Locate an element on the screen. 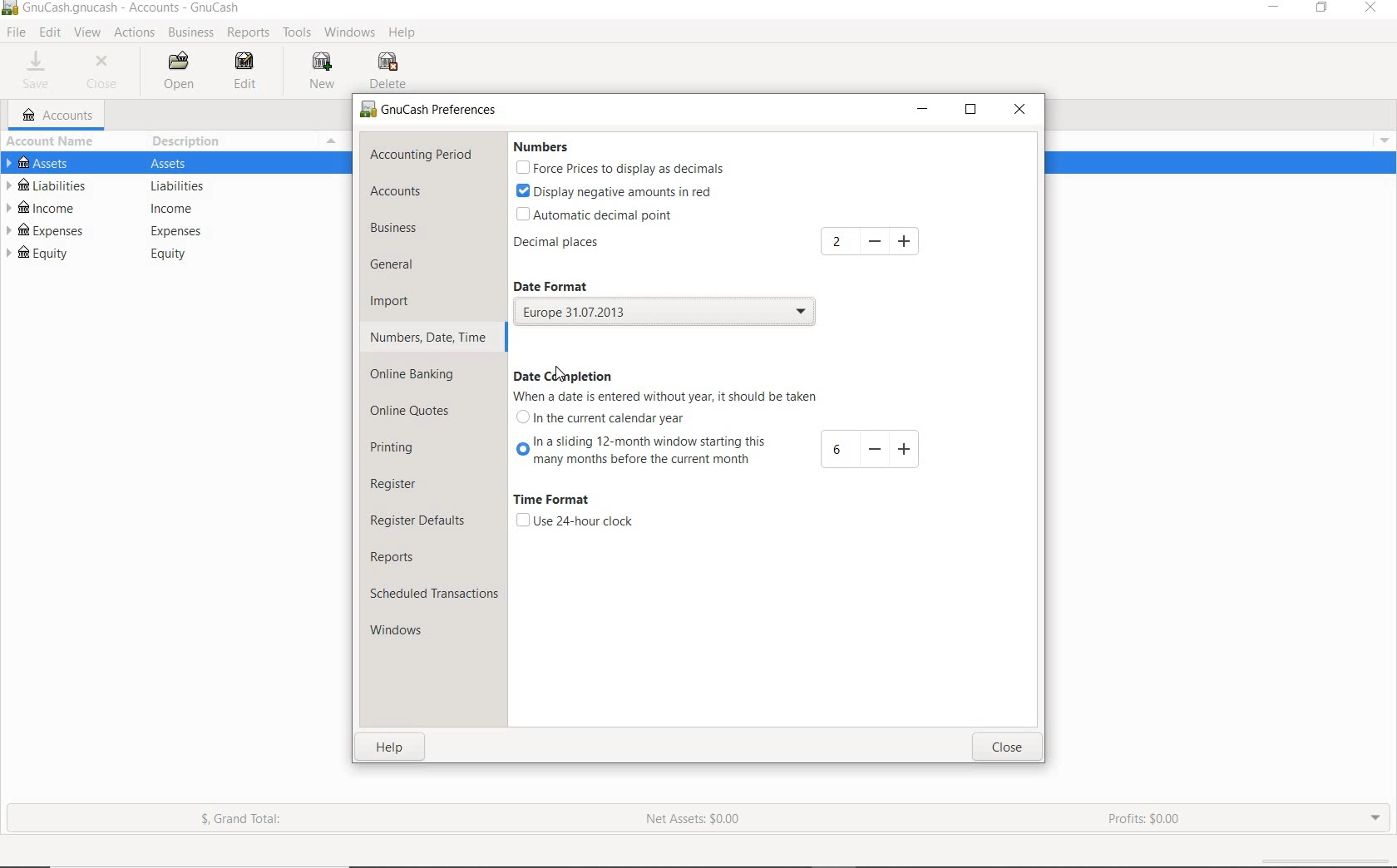 The width and height of the screenshot is (1397, 868). CLOSE is located at coordinates (106, 72).